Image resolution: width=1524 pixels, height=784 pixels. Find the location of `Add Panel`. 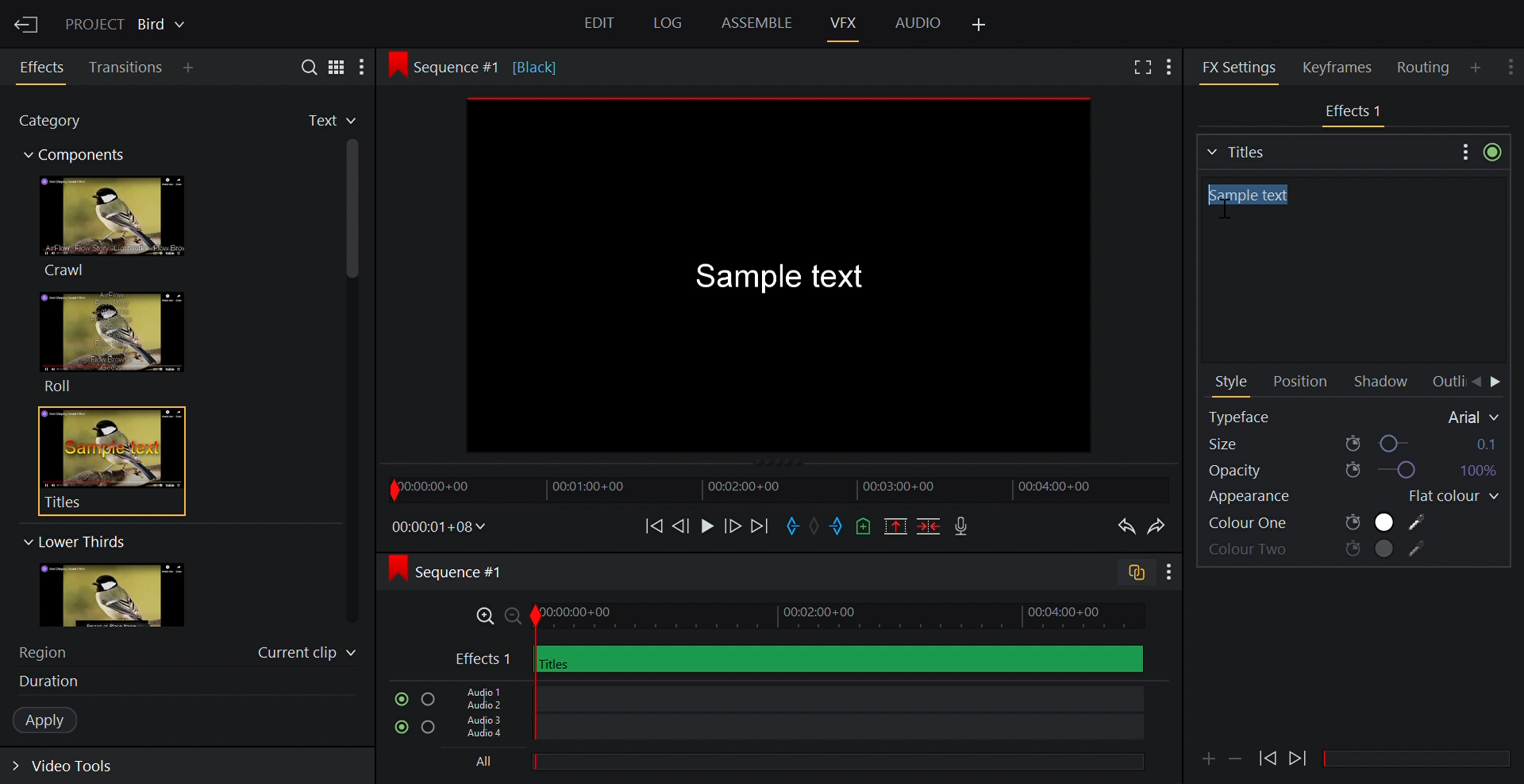

Add Panel is located at coordinates (1173, 65).